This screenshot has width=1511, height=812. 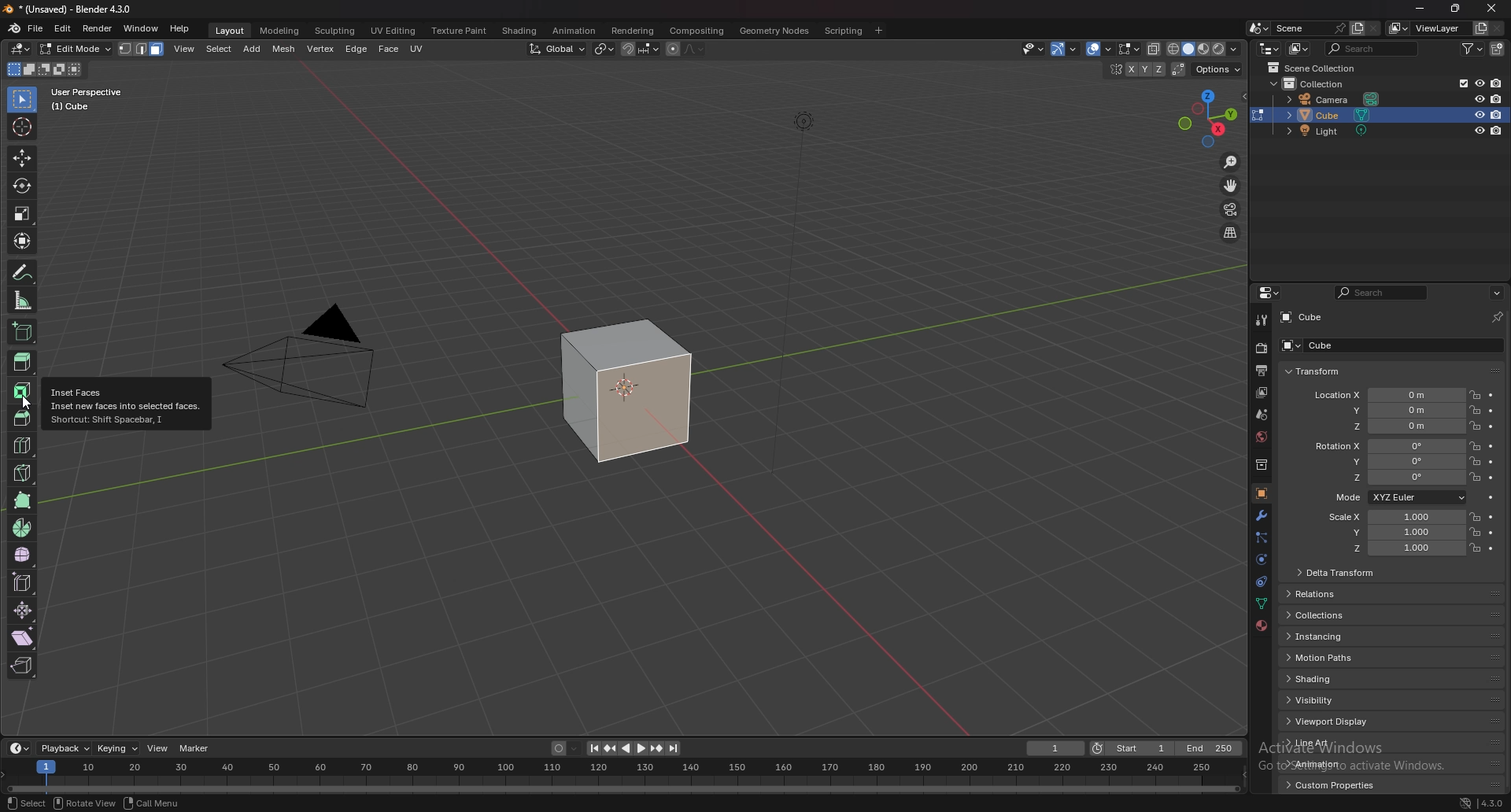 What do you see at coordinates (1320, 594) in the screenshot?
I see `relations` at bounding box center [1320, 594].